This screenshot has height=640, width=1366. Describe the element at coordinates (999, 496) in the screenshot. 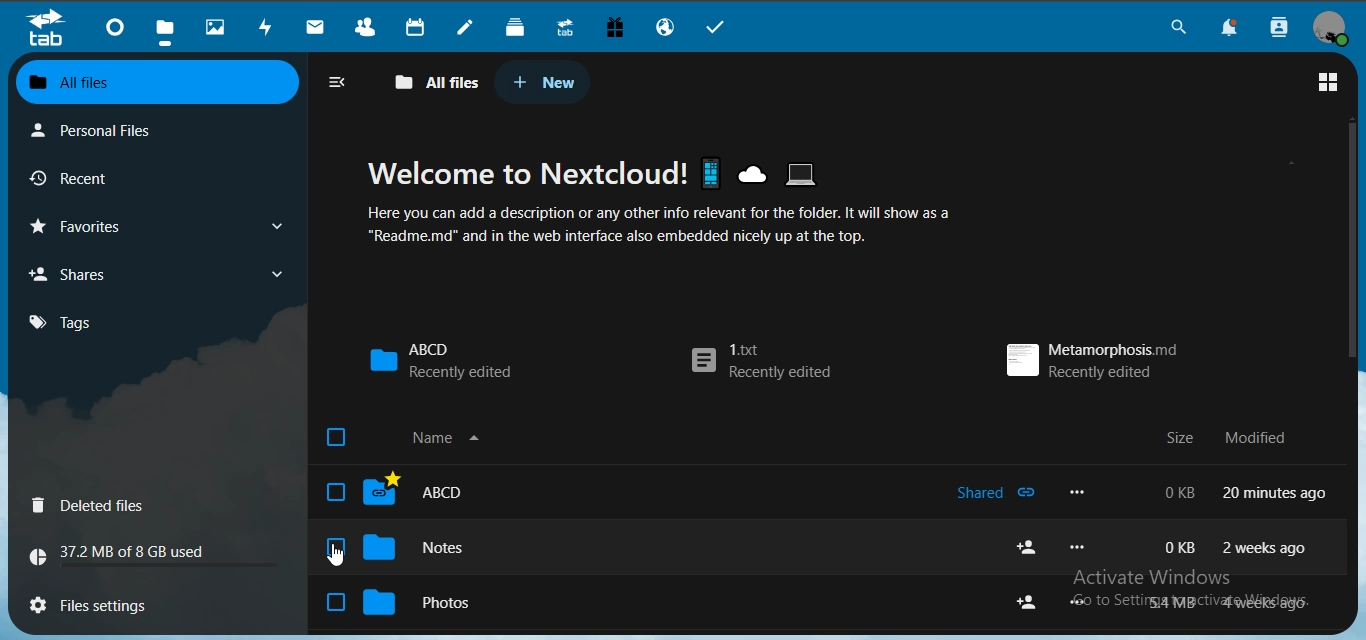

I see `shared` at that location.